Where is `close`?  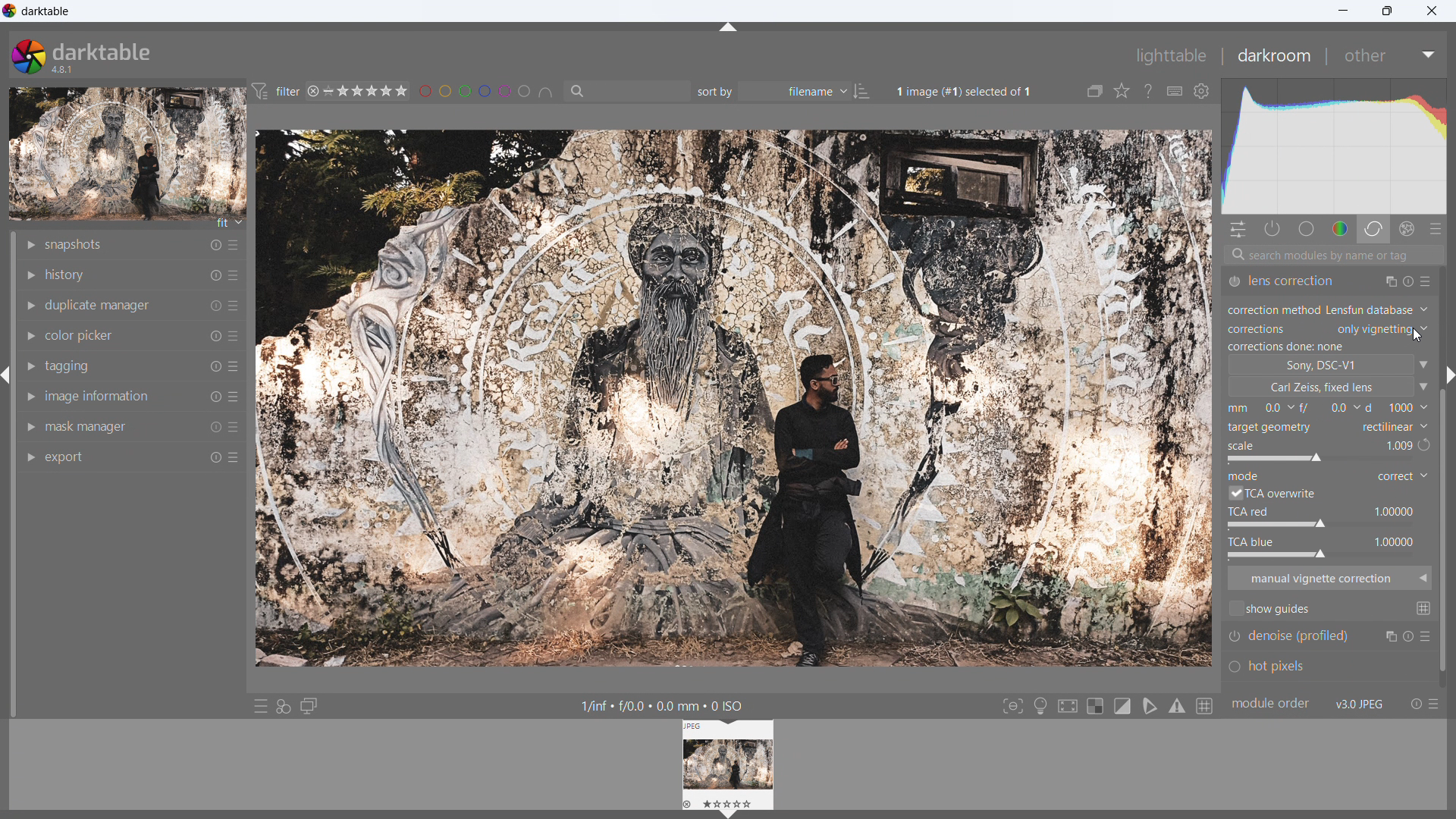
close is located at coordinates (1431, 11).